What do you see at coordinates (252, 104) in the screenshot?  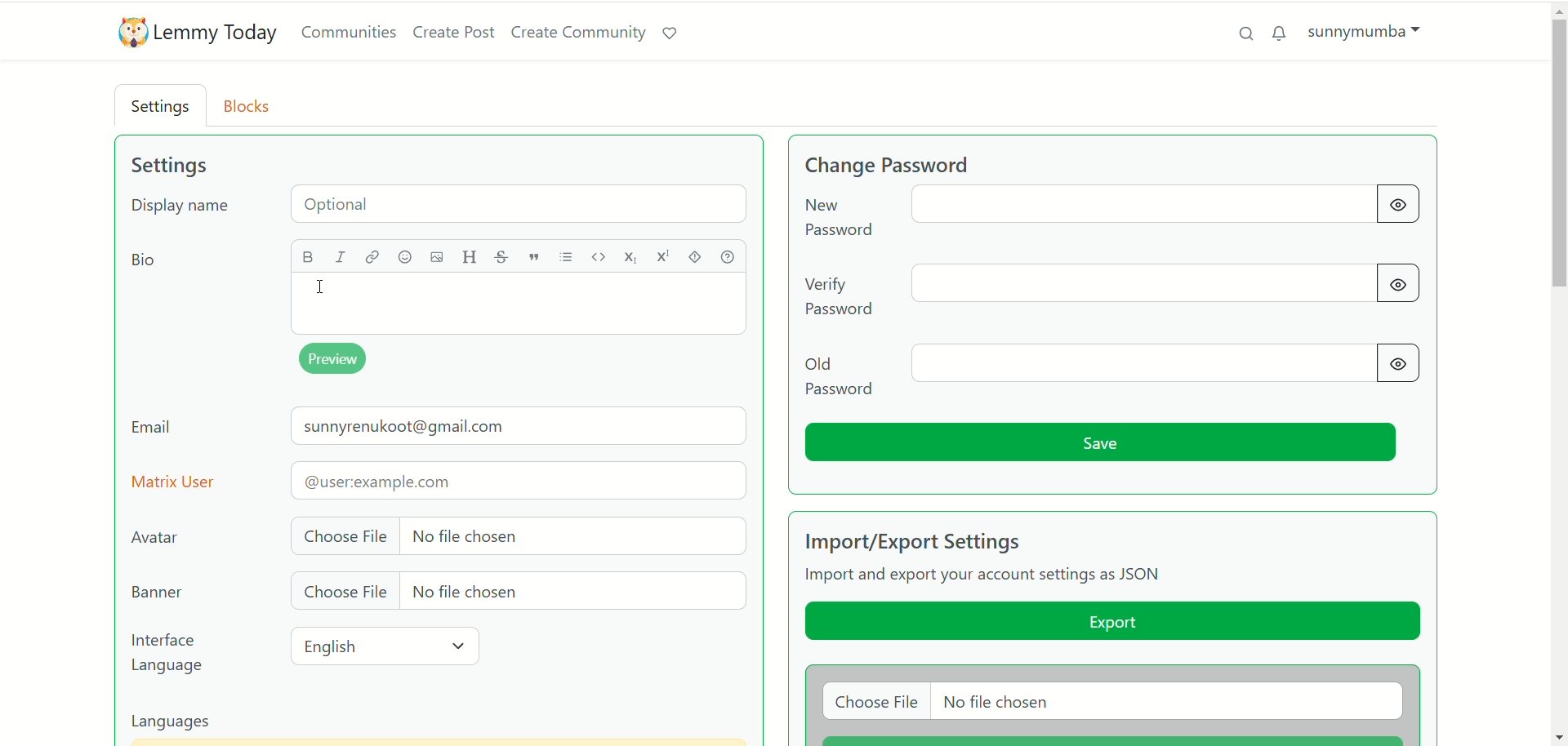 I see `blocks` at bounding box center [252, 104].